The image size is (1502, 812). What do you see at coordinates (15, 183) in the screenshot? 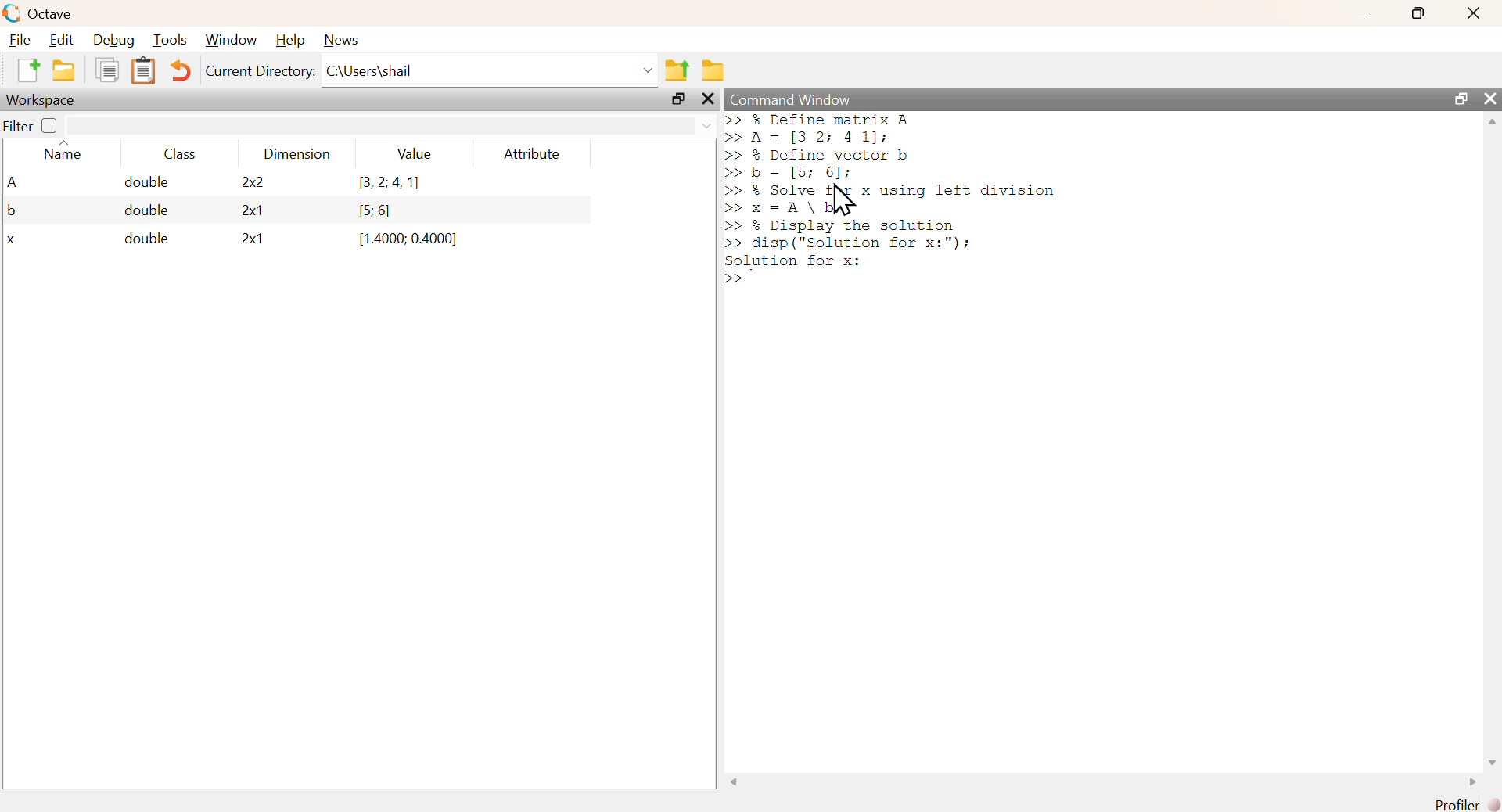
I see `A` at bounding box center [15, 183].